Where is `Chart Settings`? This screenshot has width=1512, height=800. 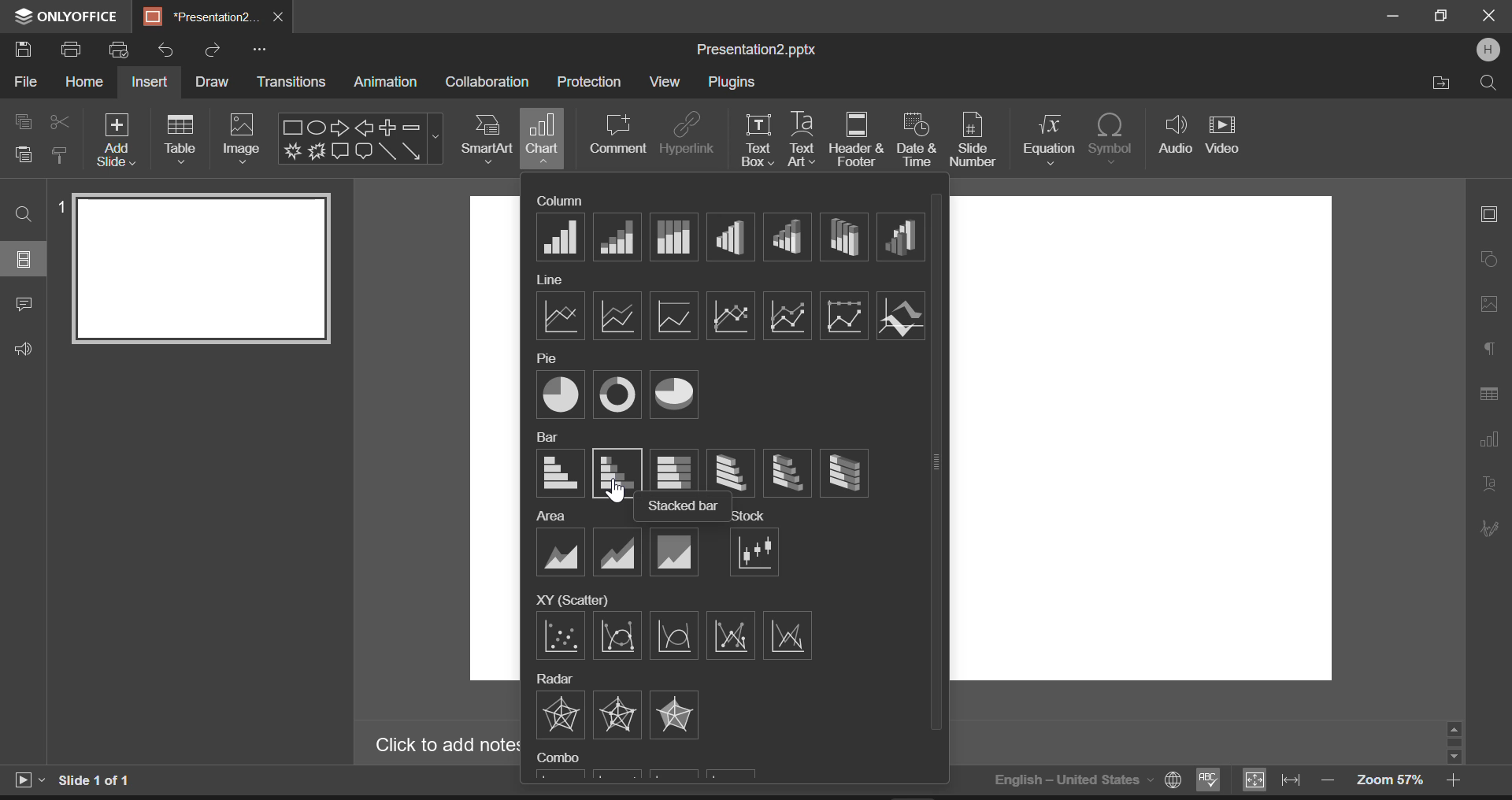
Chart Settings is located at coordinates (1488, 439).